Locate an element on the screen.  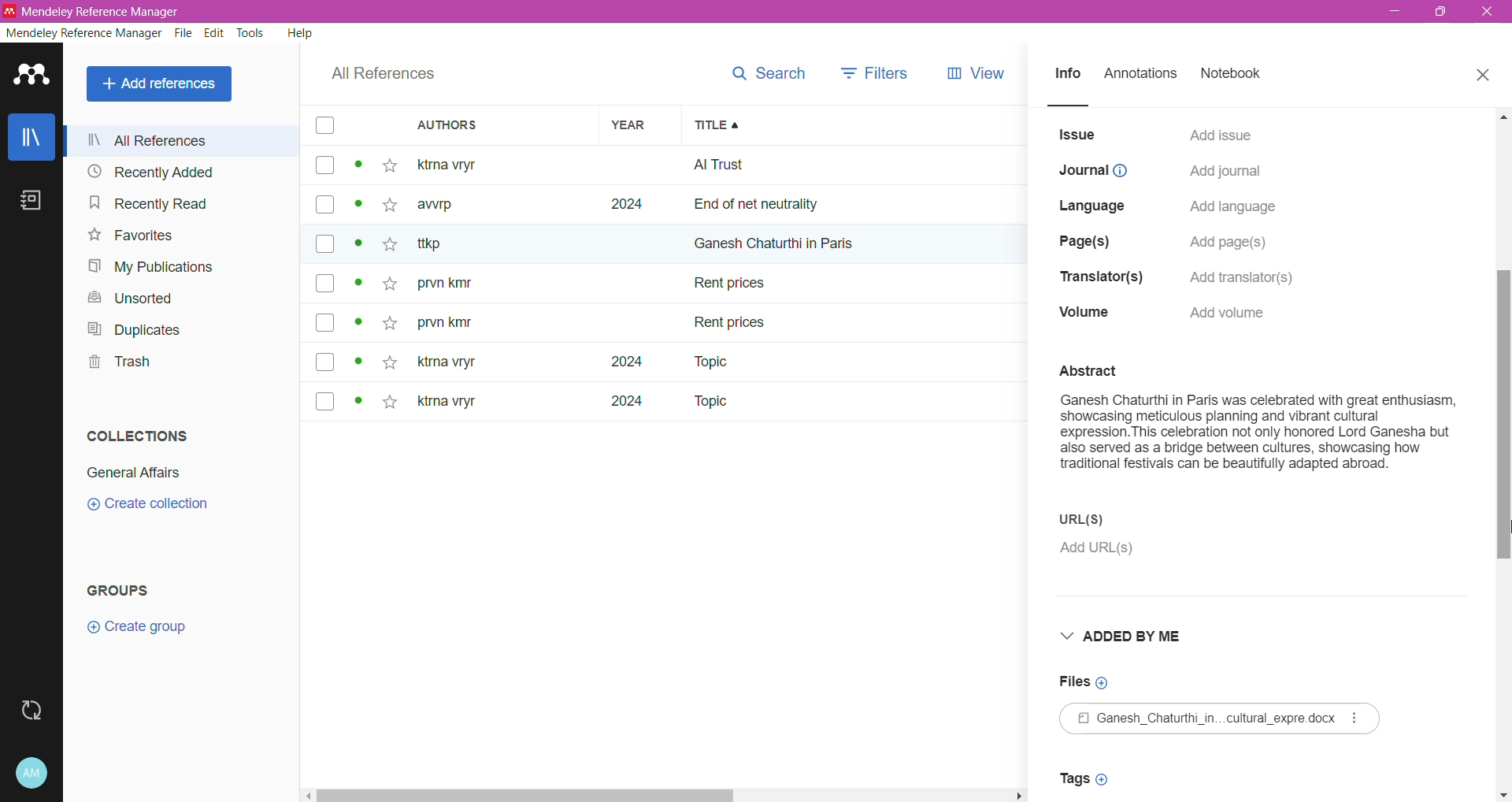
All References is located at coordinates (186, 140).